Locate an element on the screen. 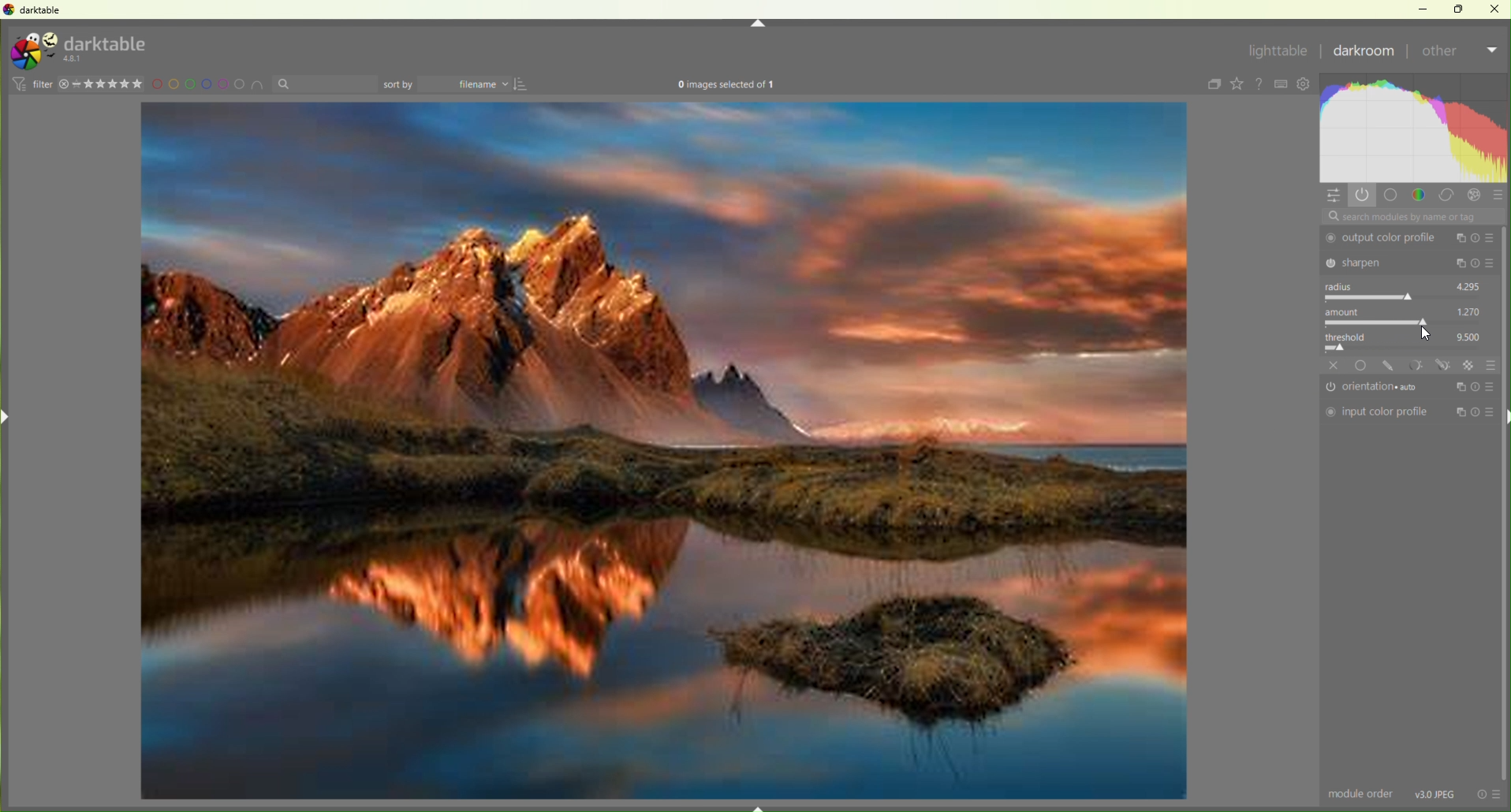 The height and width of the screenshot is (812, 1511). Collapse  is located at coordinates (758, 24).